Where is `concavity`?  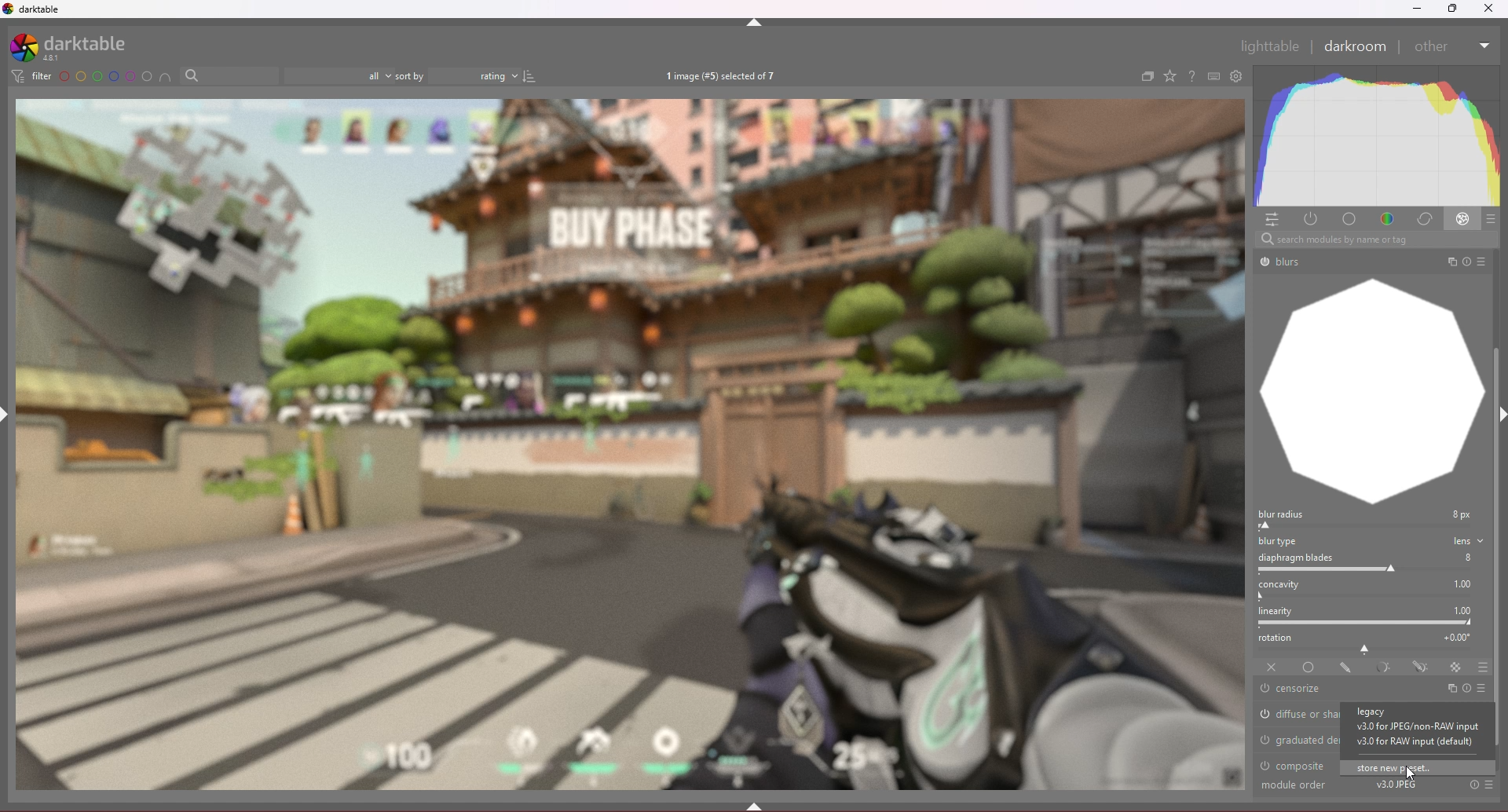 concavity is located at coordinates (1371, 590).